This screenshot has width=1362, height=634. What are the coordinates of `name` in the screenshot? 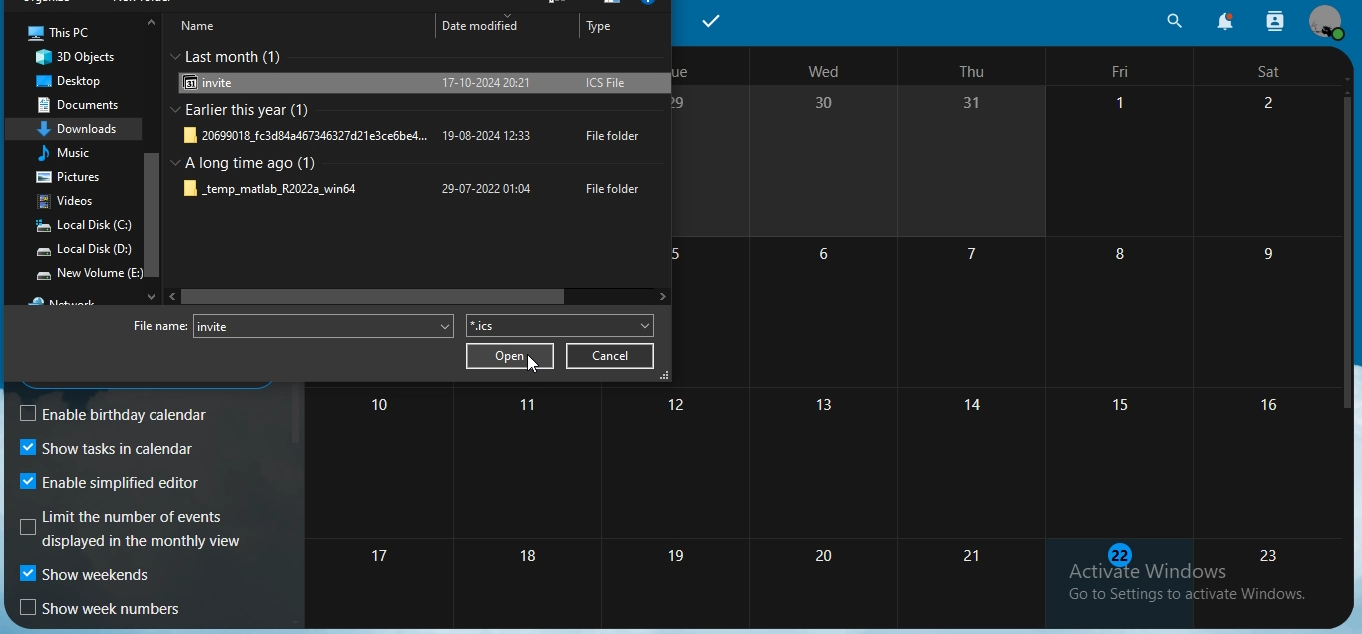 It's located at (207, 26).